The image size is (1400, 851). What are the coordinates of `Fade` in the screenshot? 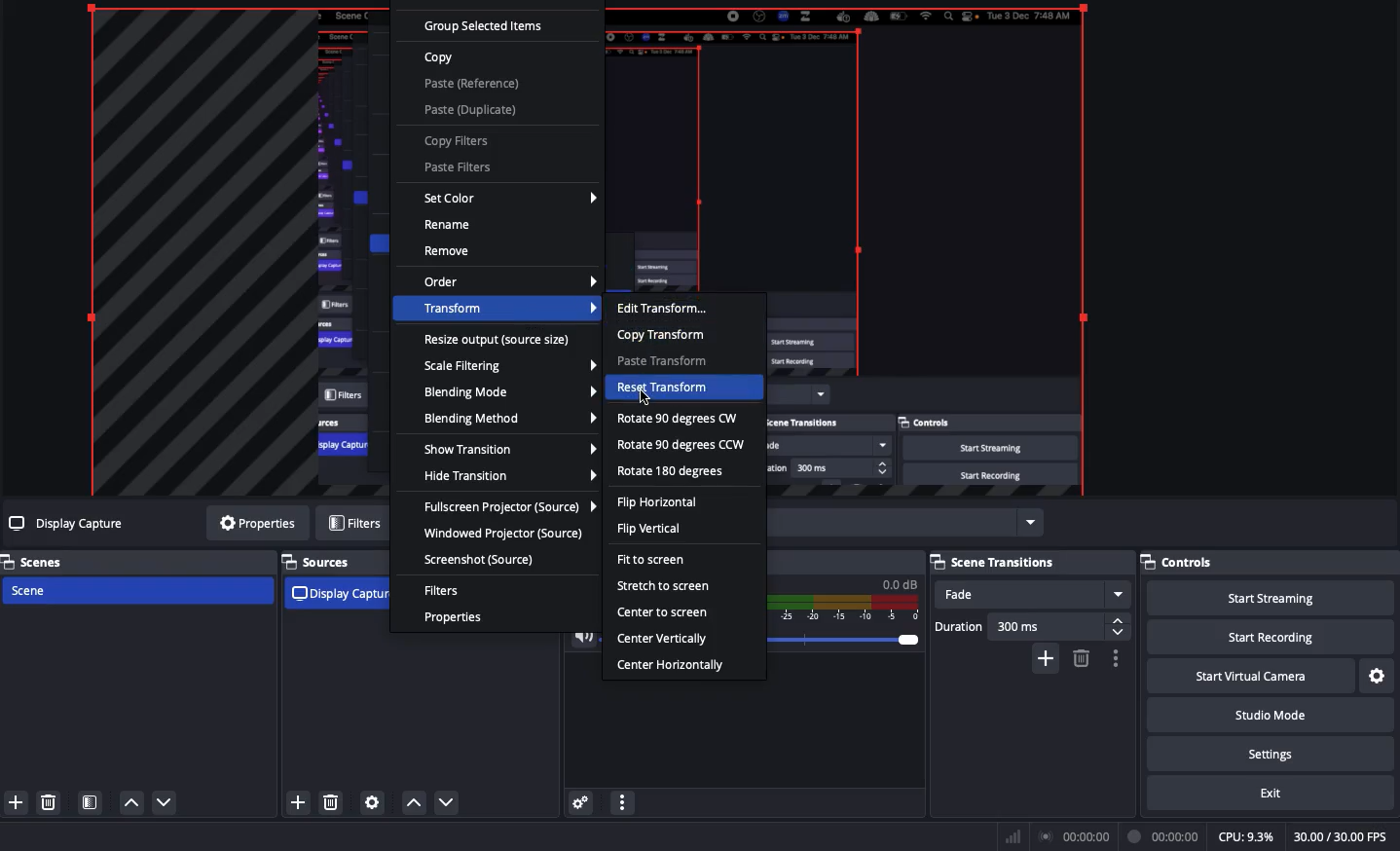 It's located at (1032, 595).